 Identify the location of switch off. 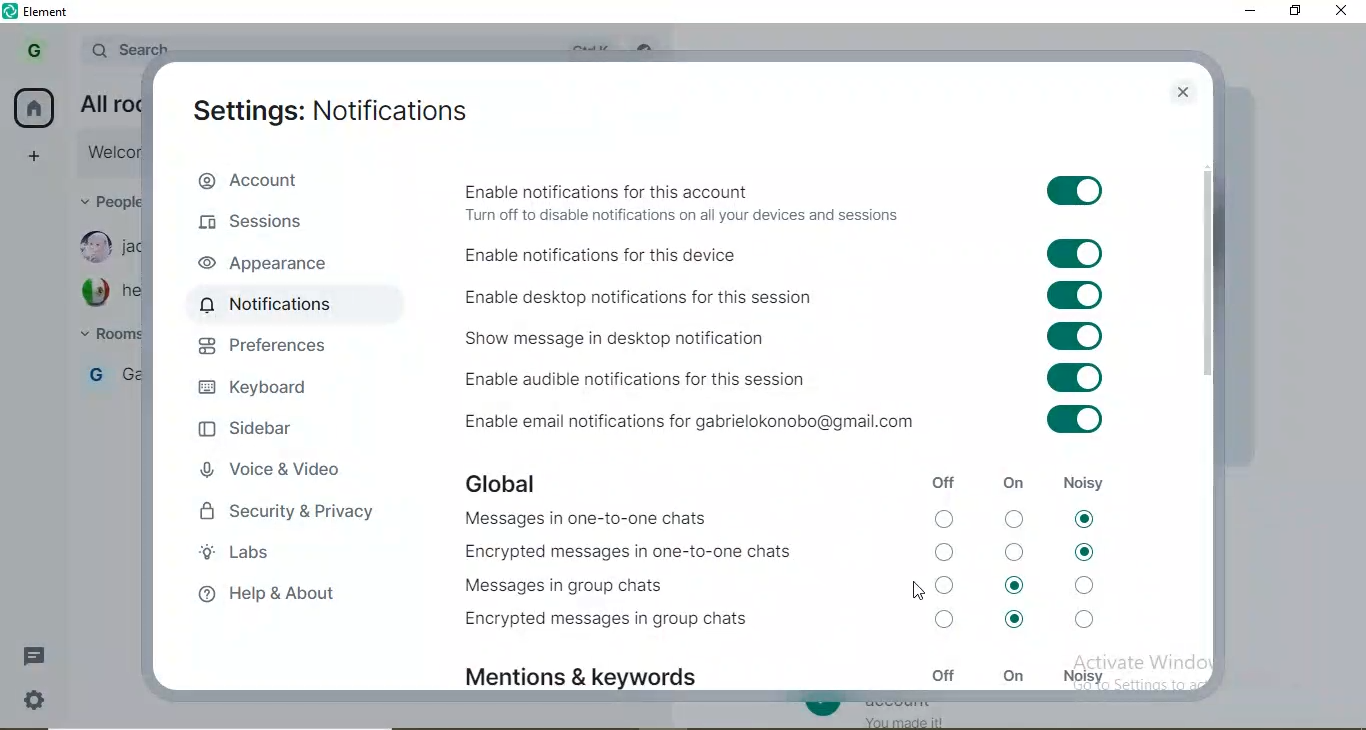
(947, 550).